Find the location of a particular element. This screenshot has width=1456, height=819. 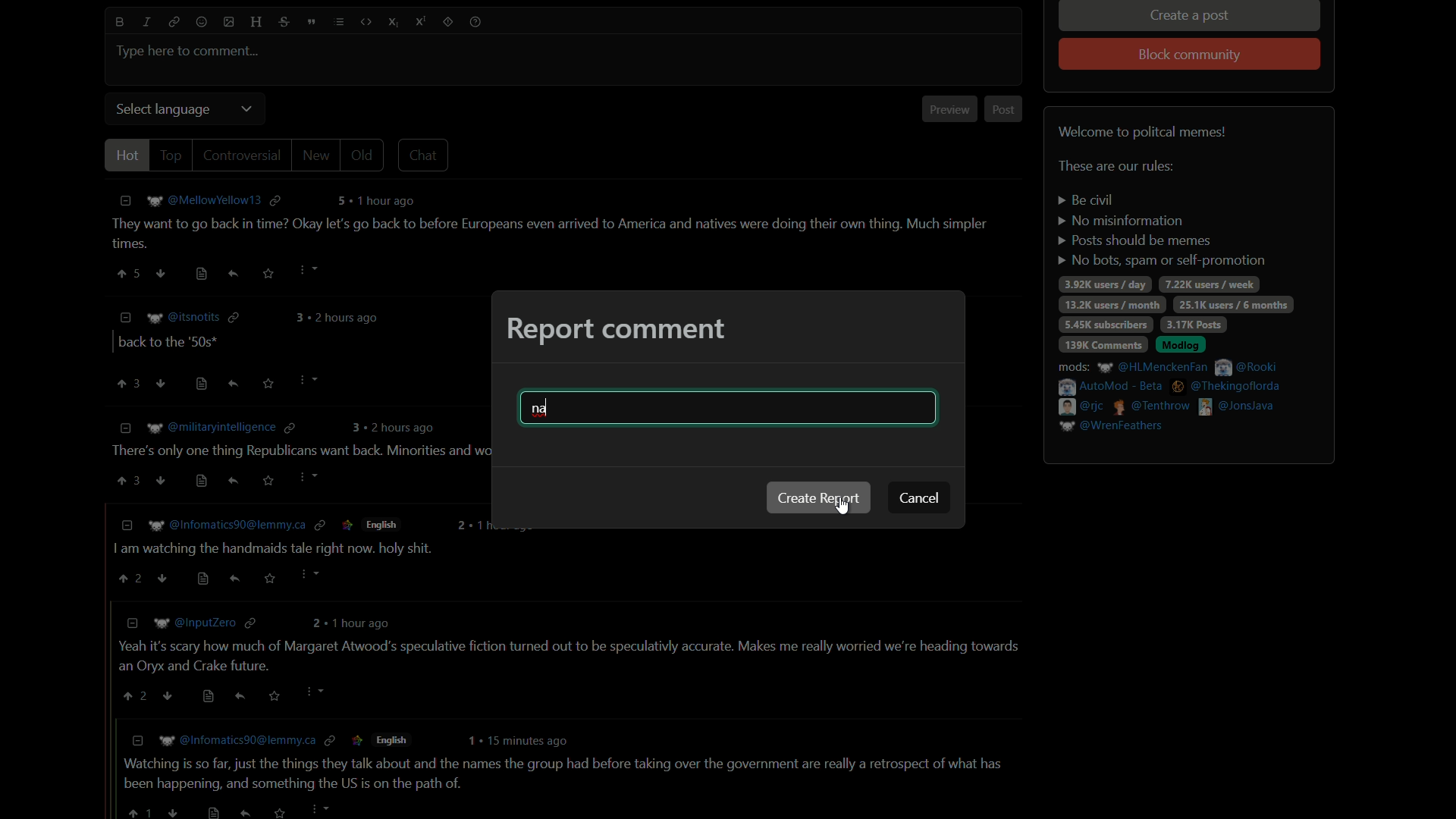

username is located at coordinates (193, 318).